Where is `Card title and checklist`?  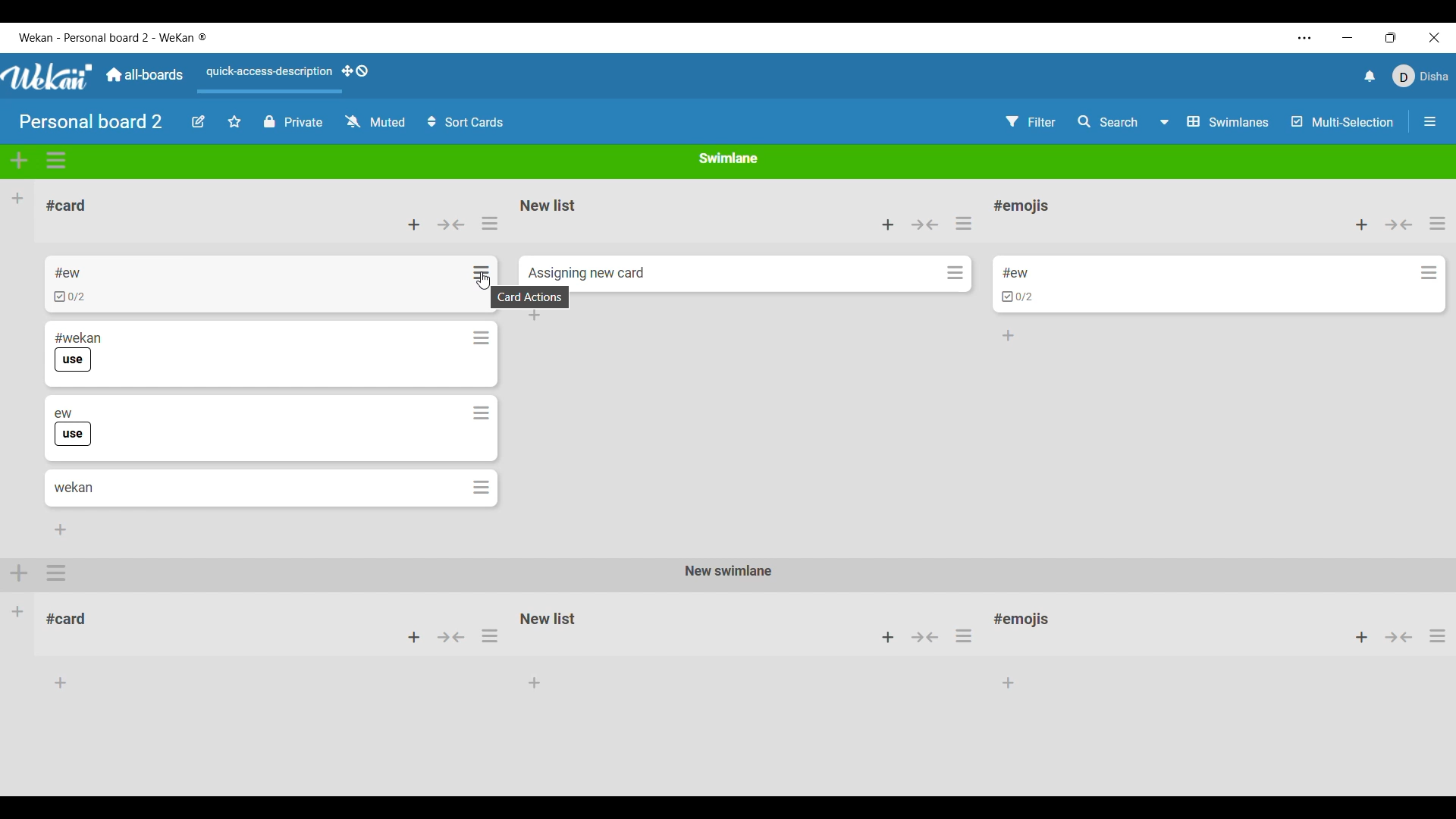
Card title and checklist is located at coordinates (69, 284).